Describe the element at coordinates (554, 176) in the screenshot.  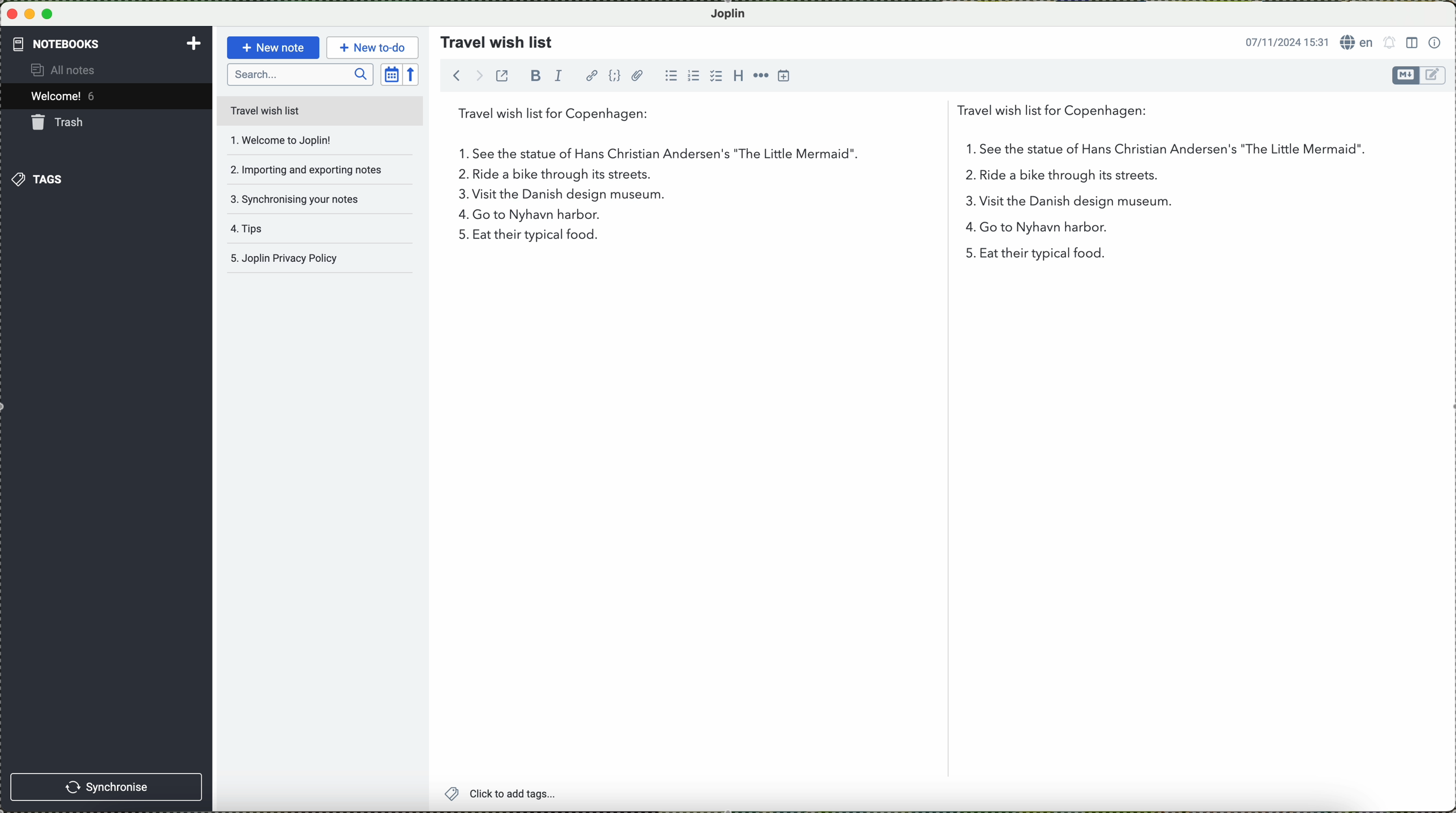
I see `ride a bike through its streets.` at that location.